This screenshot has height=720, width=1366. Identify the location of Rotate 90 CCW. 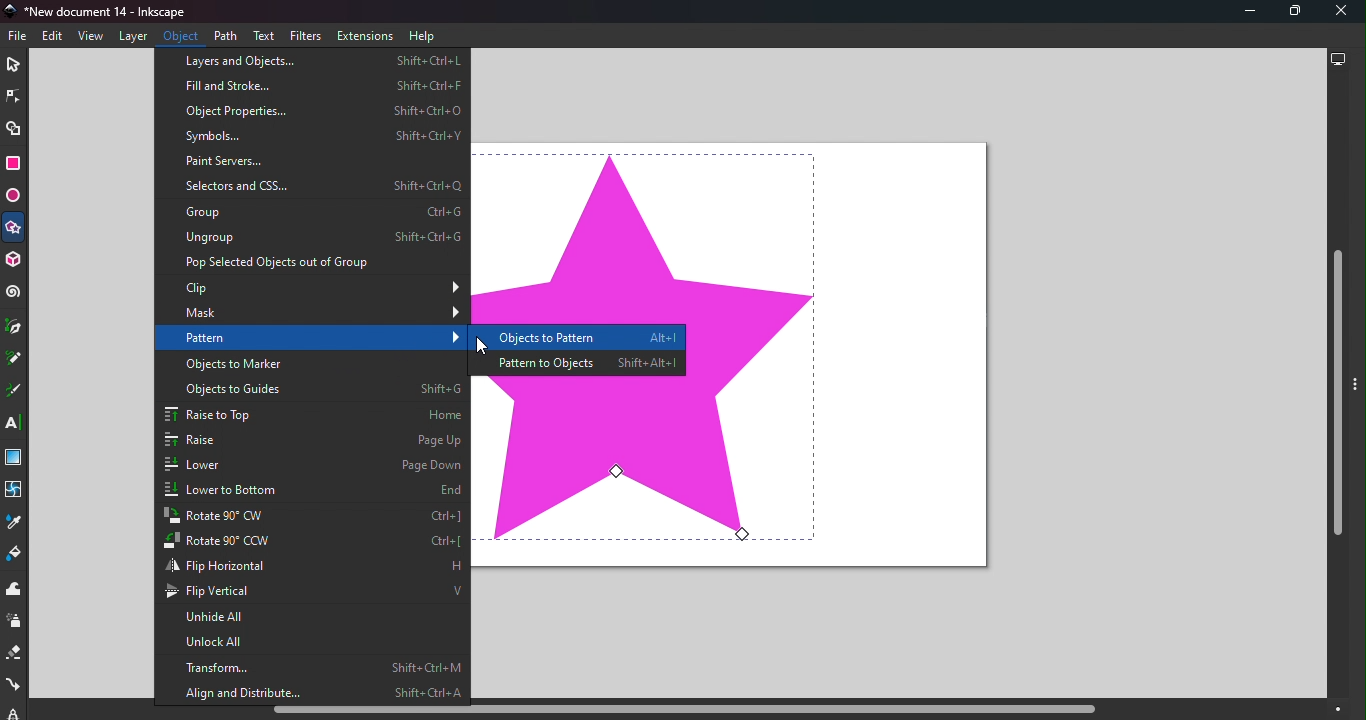
(312, 541).